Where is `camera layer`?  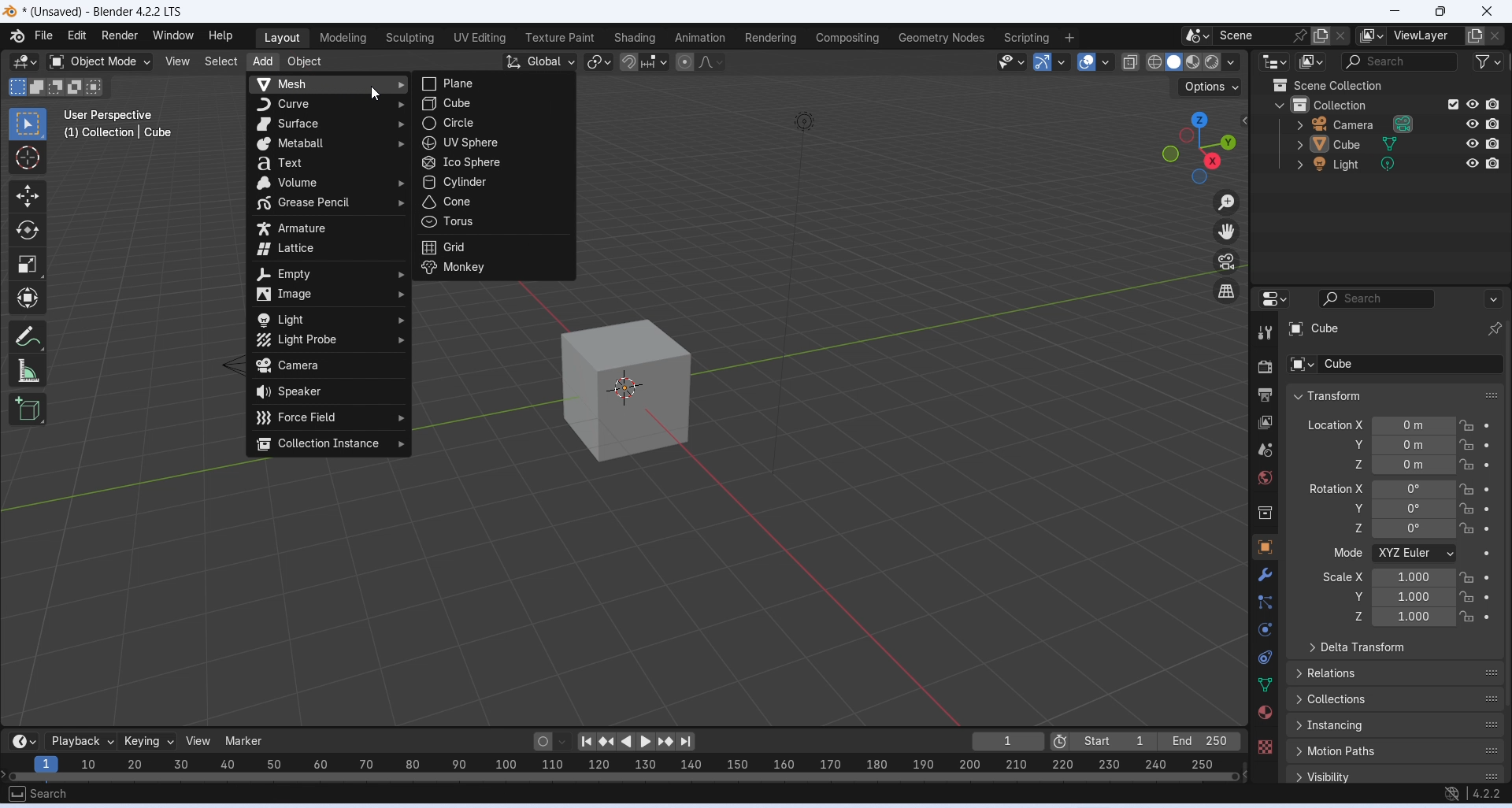 camera layer is located at coordinates (1371, 124).